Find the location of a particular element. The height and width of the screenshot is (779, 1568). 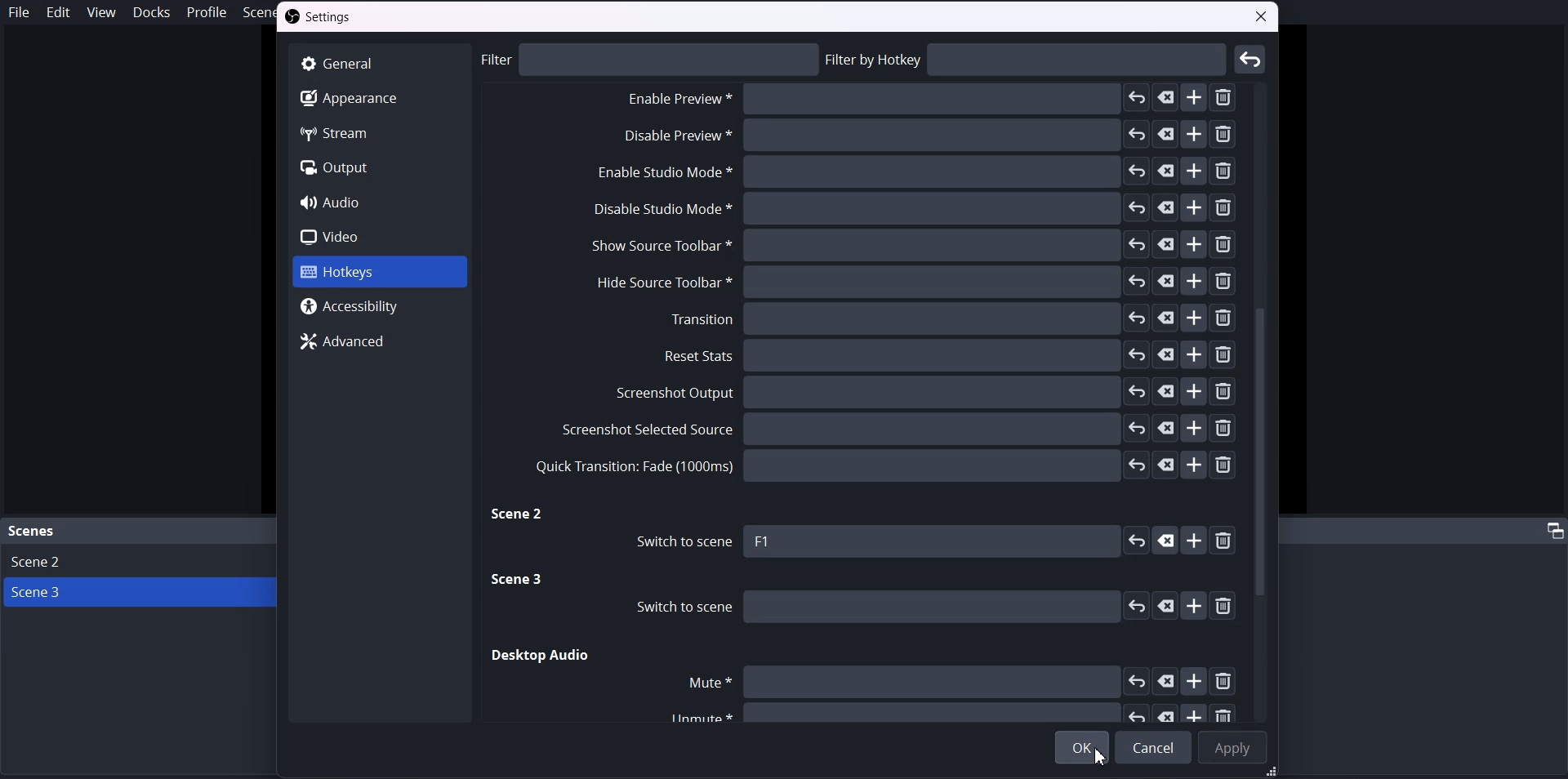

Filtre by hotkey is located at coordinates (1027, 60).